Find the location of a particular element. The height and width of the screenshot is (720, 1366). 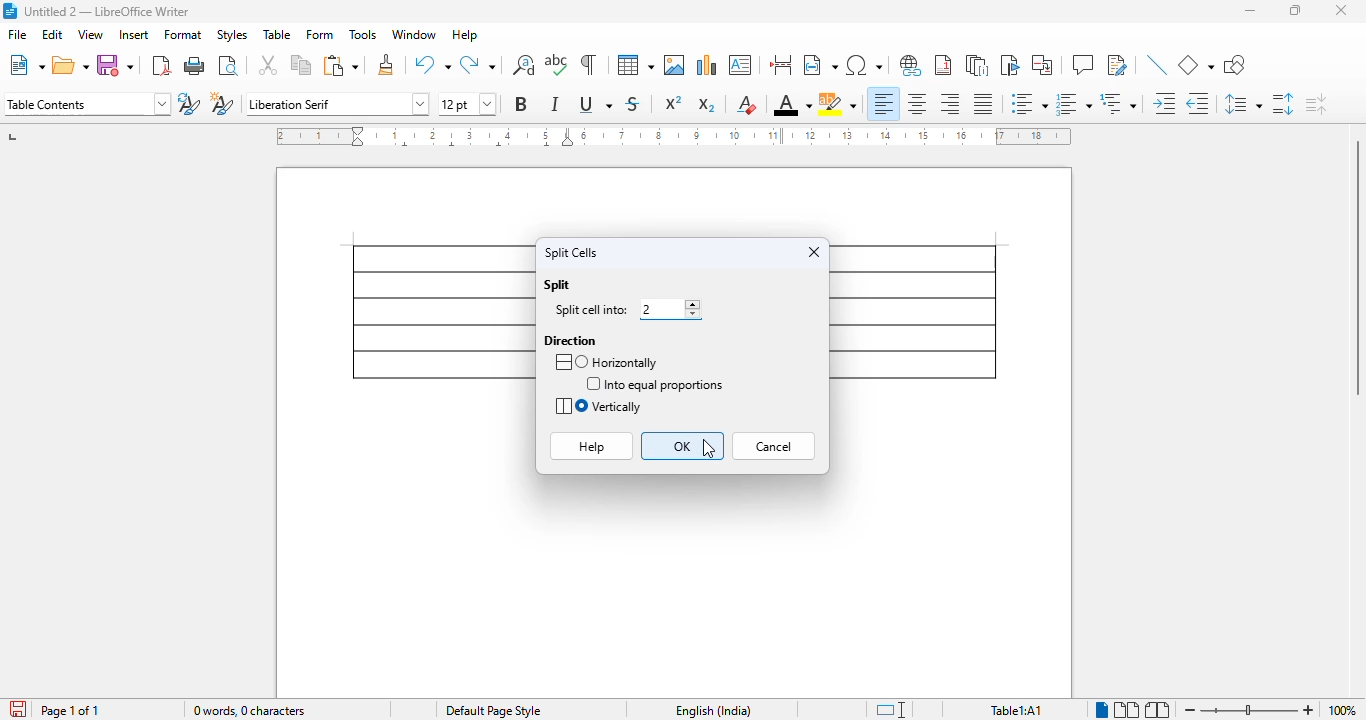

insert image is located at coordinates (674, 65).